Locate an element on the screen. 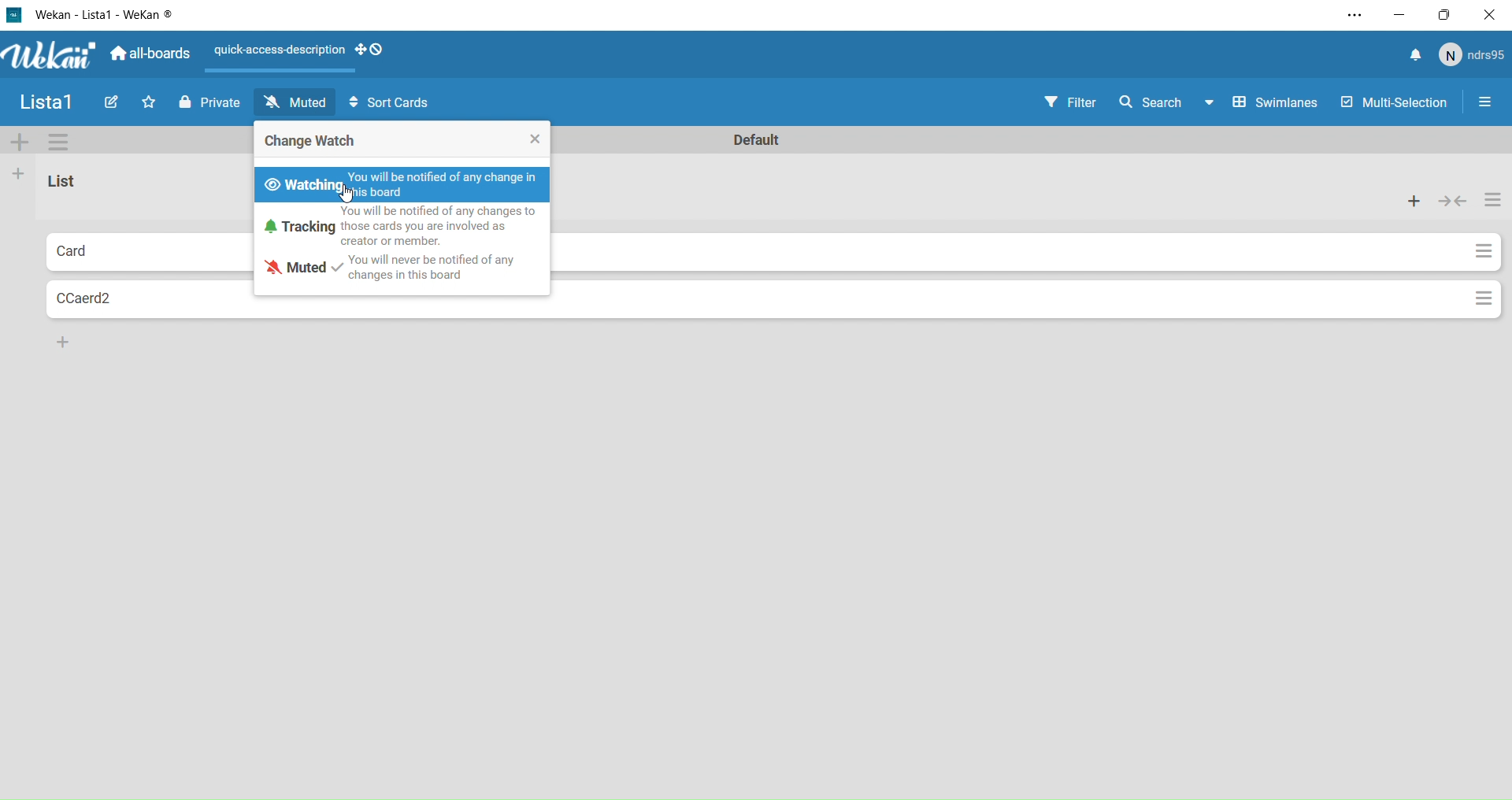  Multi-Selection is located at coordinates (1390, 103).